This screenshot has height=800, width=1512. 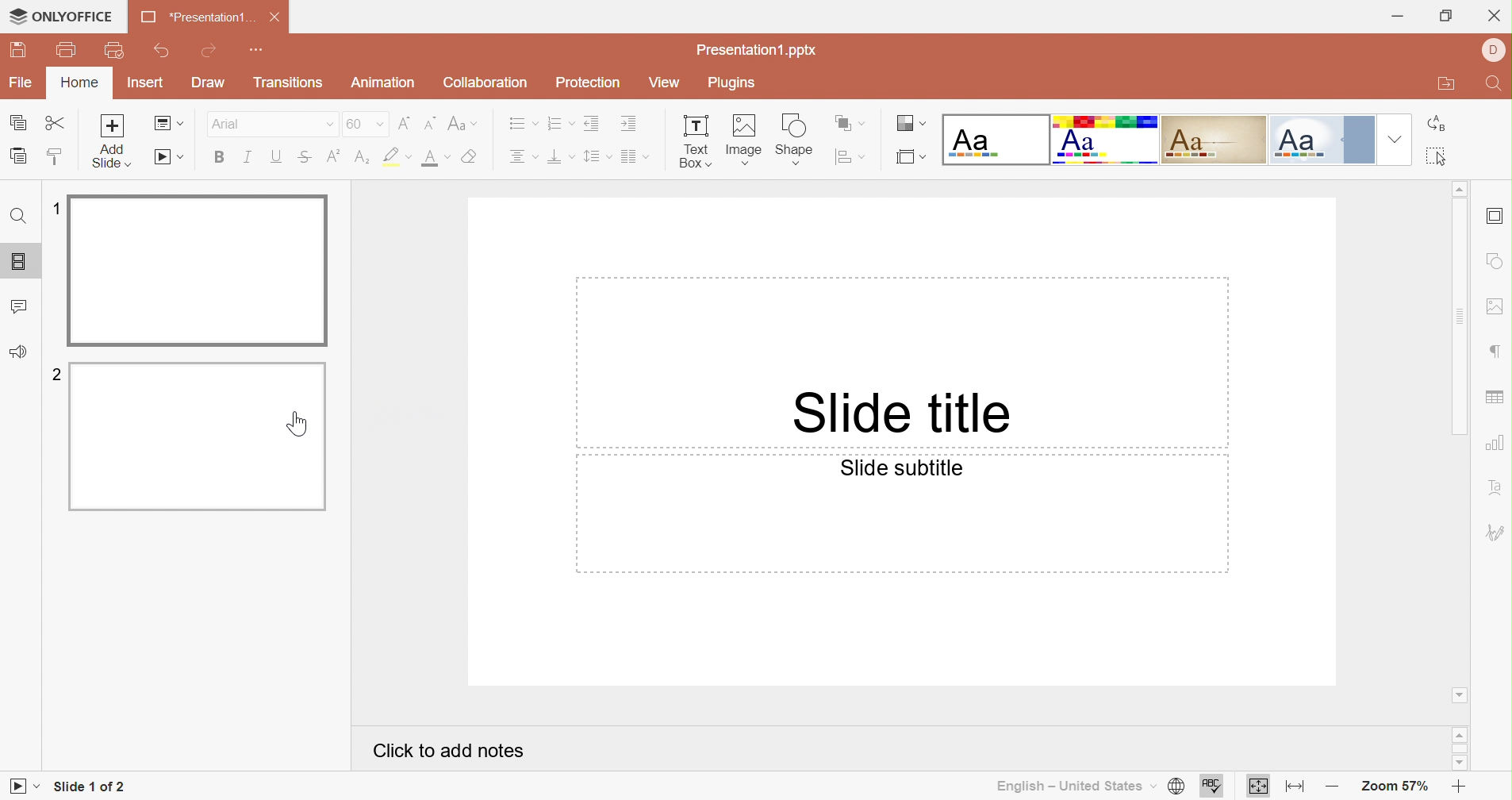 What do you see at coordinates (1328, 783) in the screenshot?
I see `Zoom out` at bounding box center [1328, 783].